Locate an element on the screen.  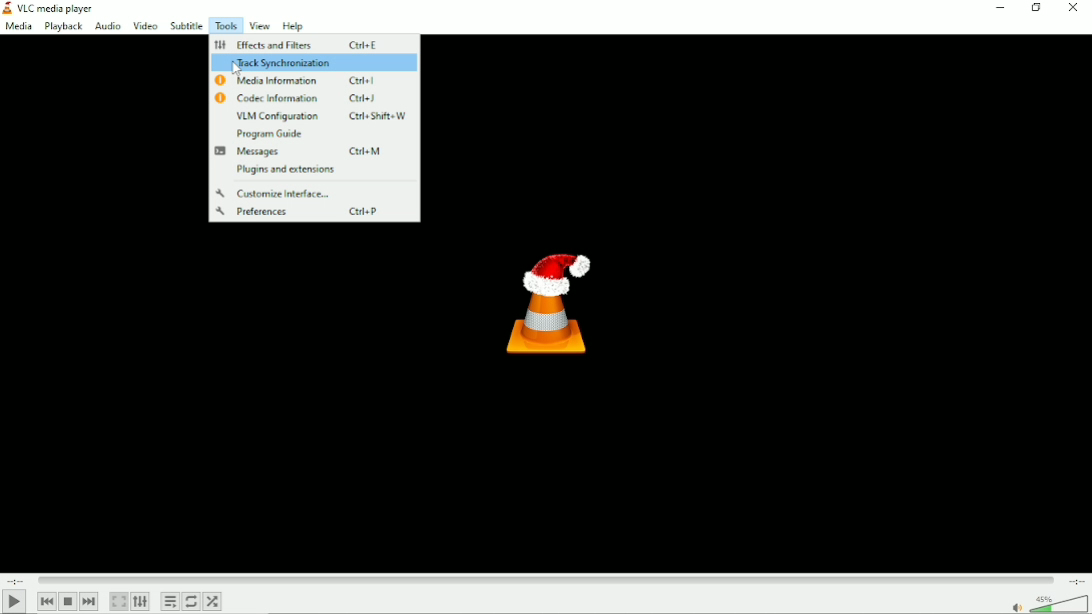
Toggle playlist is located at coordinates (170, 600).